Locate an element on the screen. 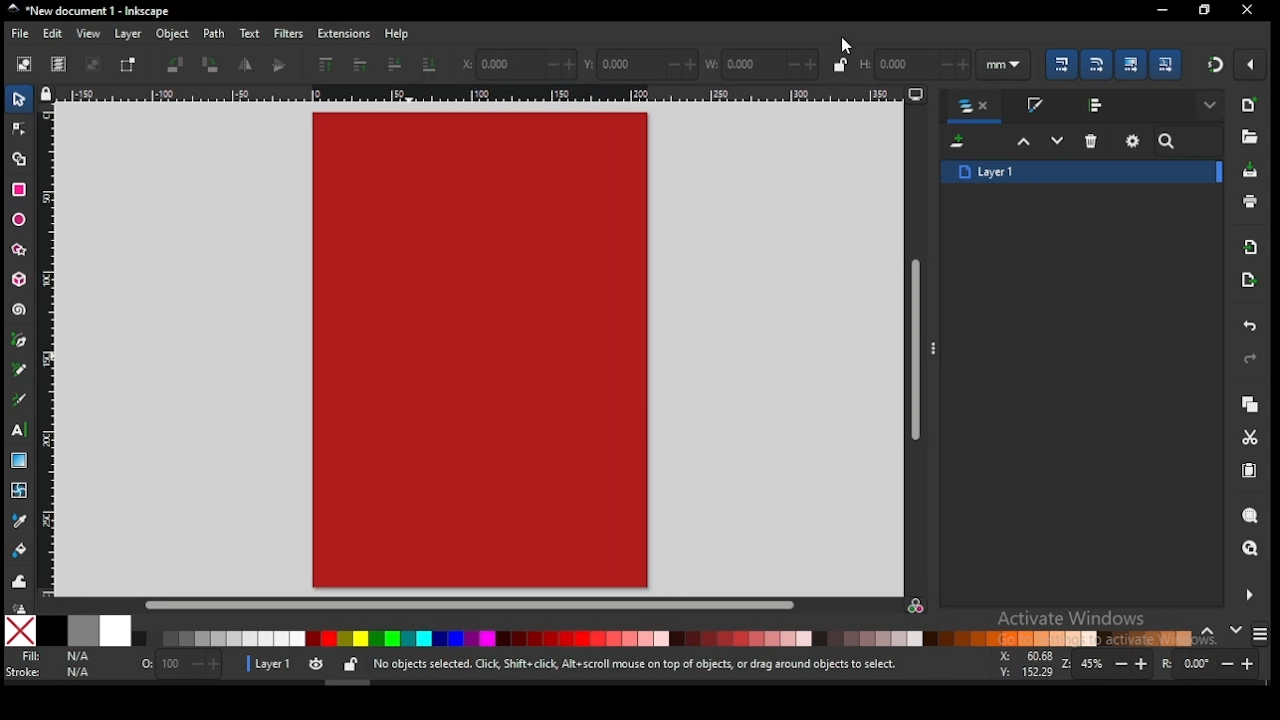  object flip vertical is located at coordinates (280, 65).